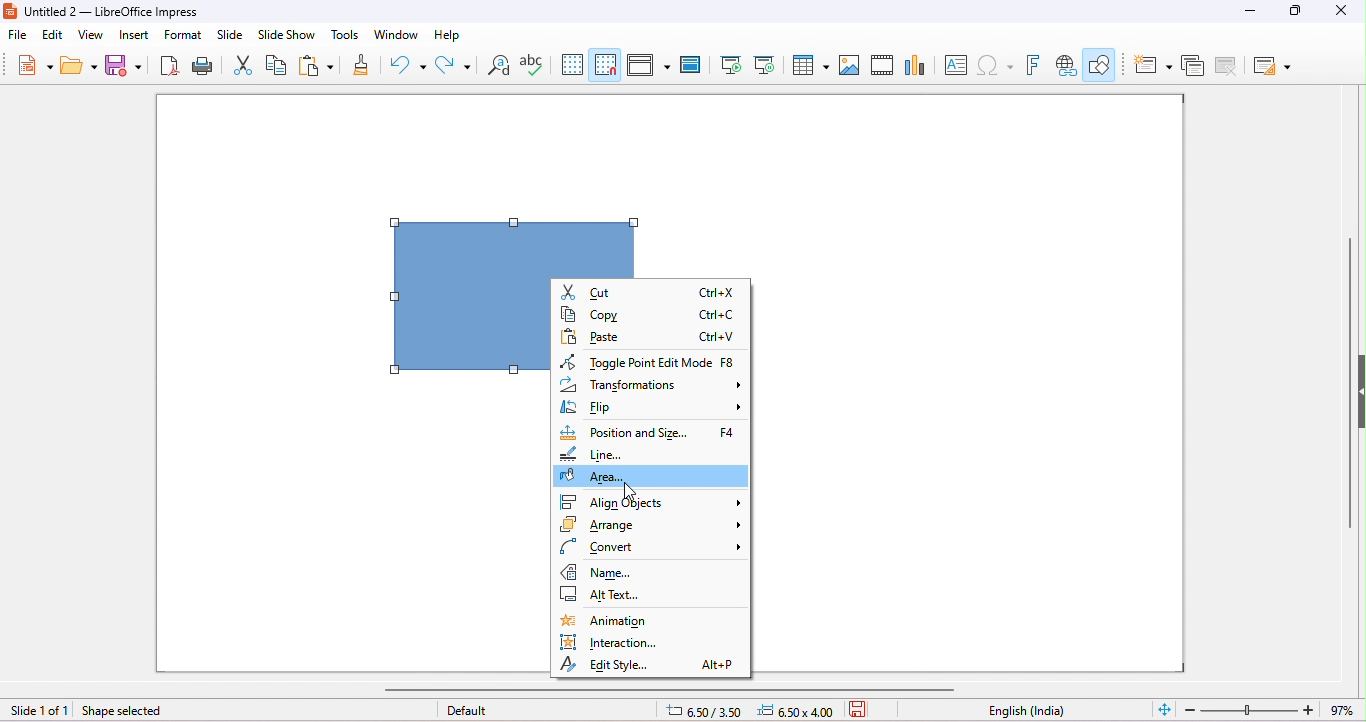 The height and width of the screenshot is (722, 1366). Describe the element at coordinates (652, 408) in the screenshot. I see `flip` at that location.